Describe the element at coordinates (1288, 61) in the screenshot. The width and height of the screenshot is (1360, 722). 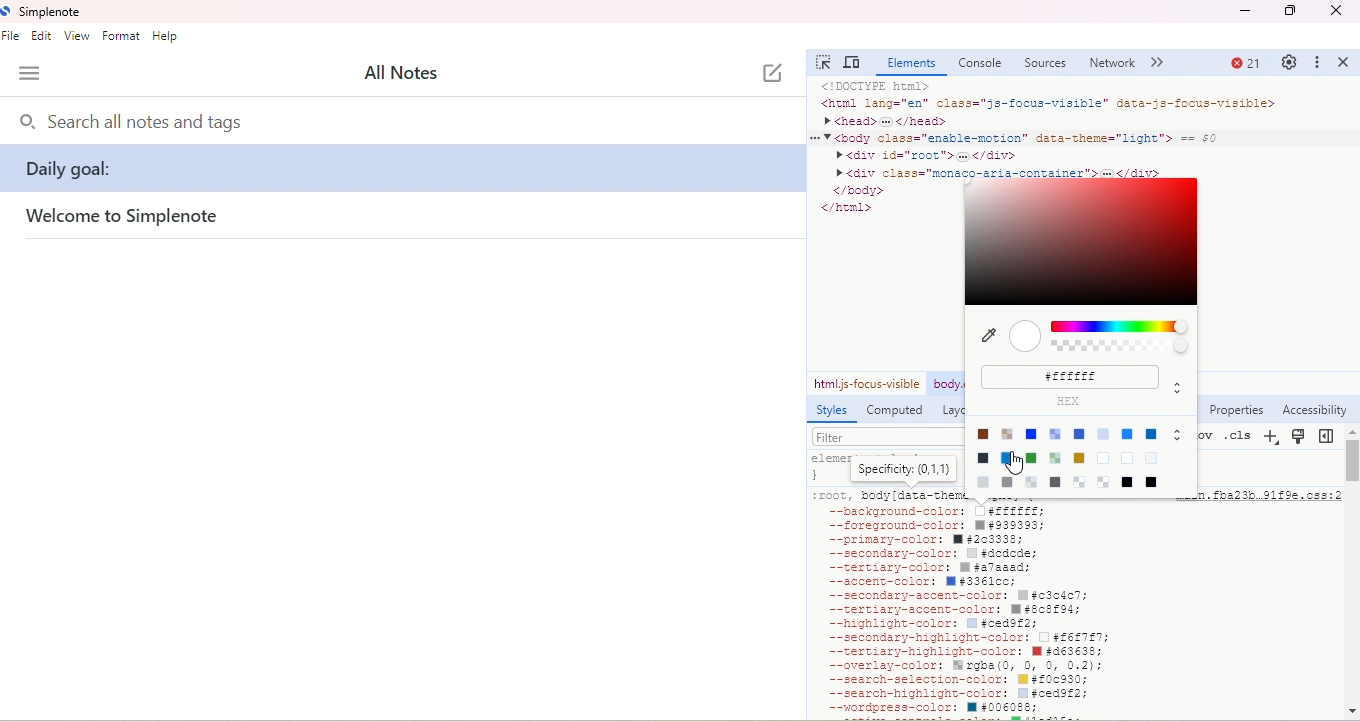
I see `settings` at that location.